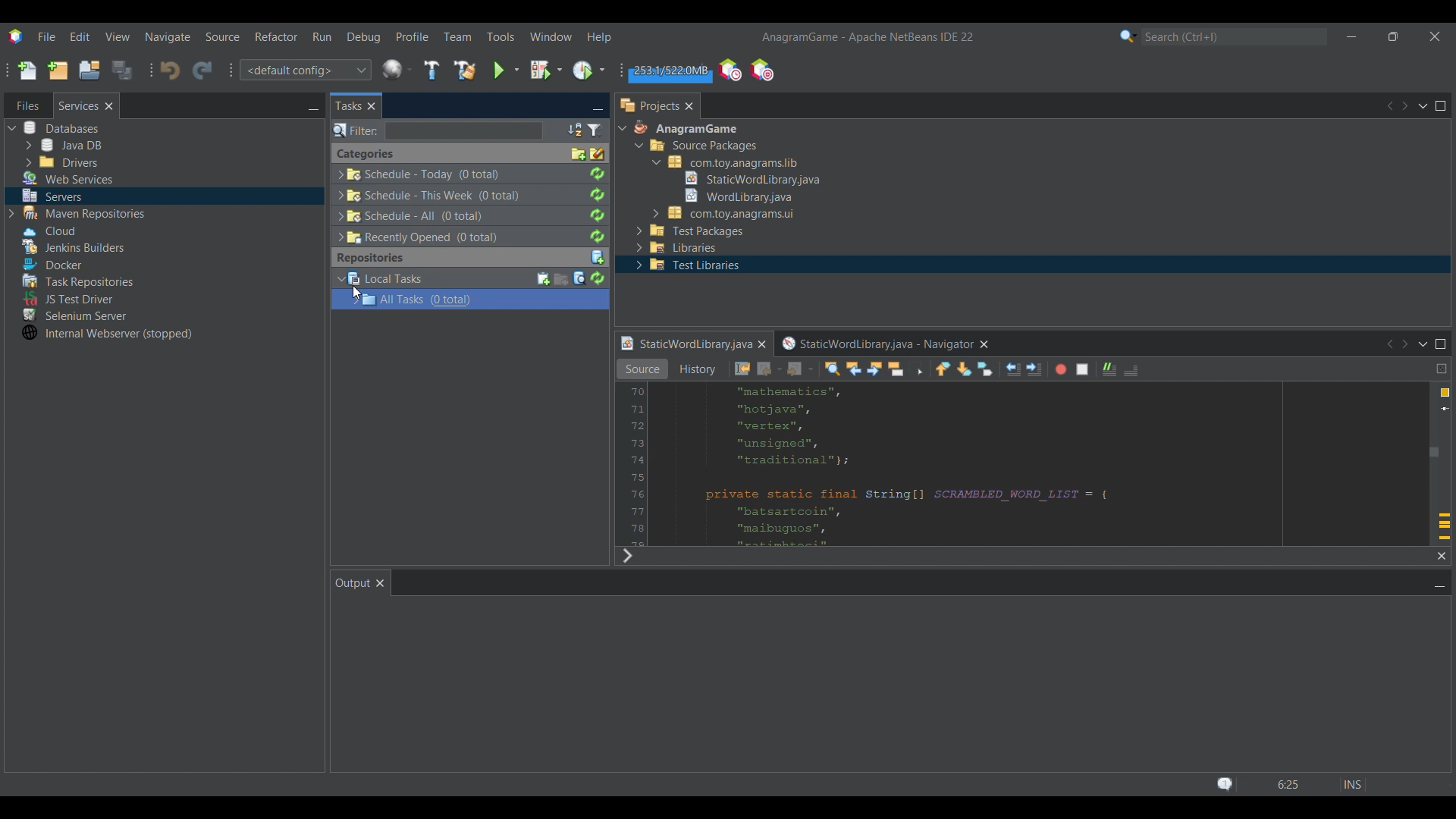 Image resolution: width=1456 pixels, height=819 pixels. Describe the element at coordinates (683, 130) in the screenshot. I see `` at that location.